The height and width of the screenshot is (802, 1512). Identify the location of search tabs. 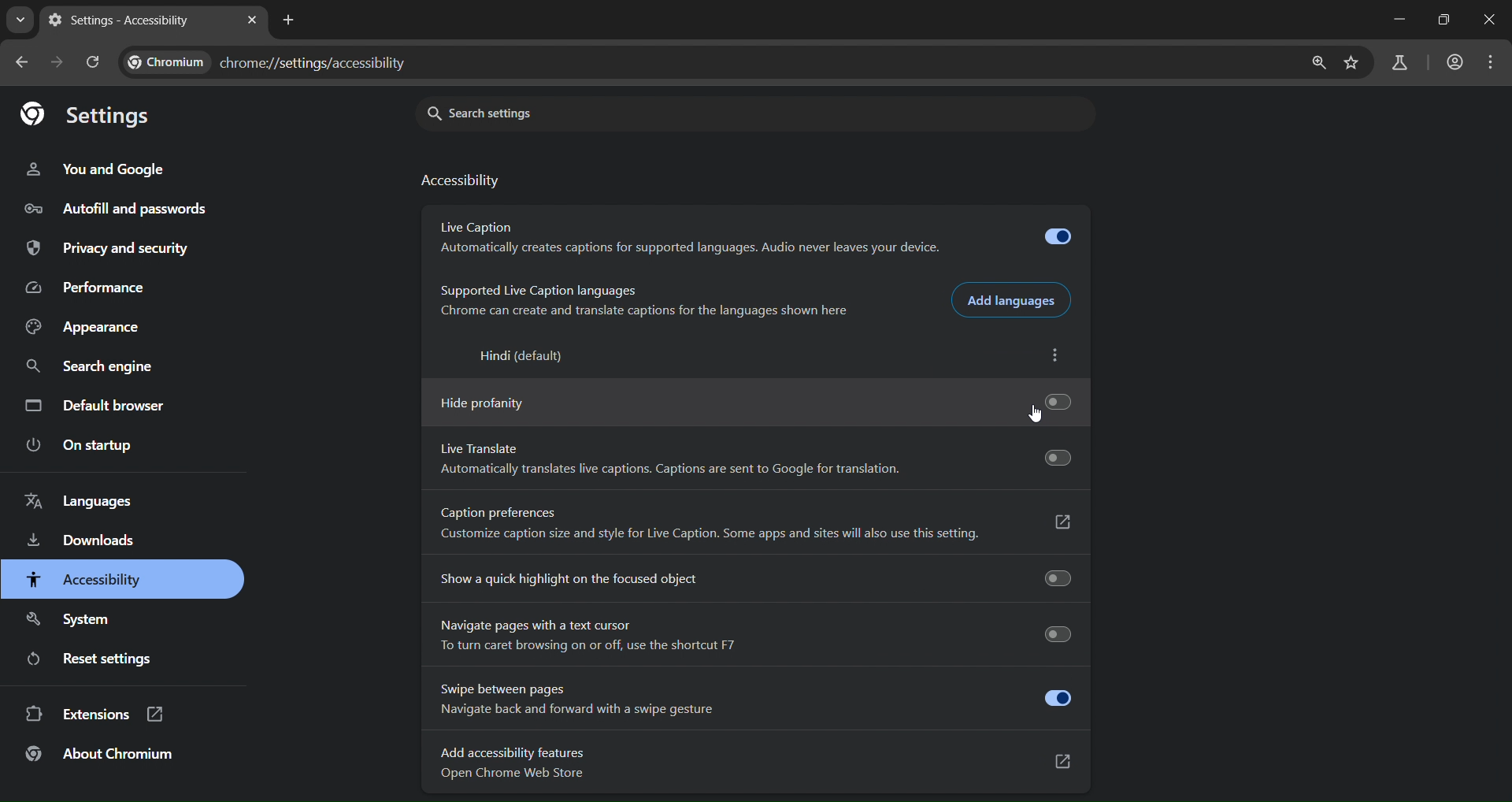
(19, 20).